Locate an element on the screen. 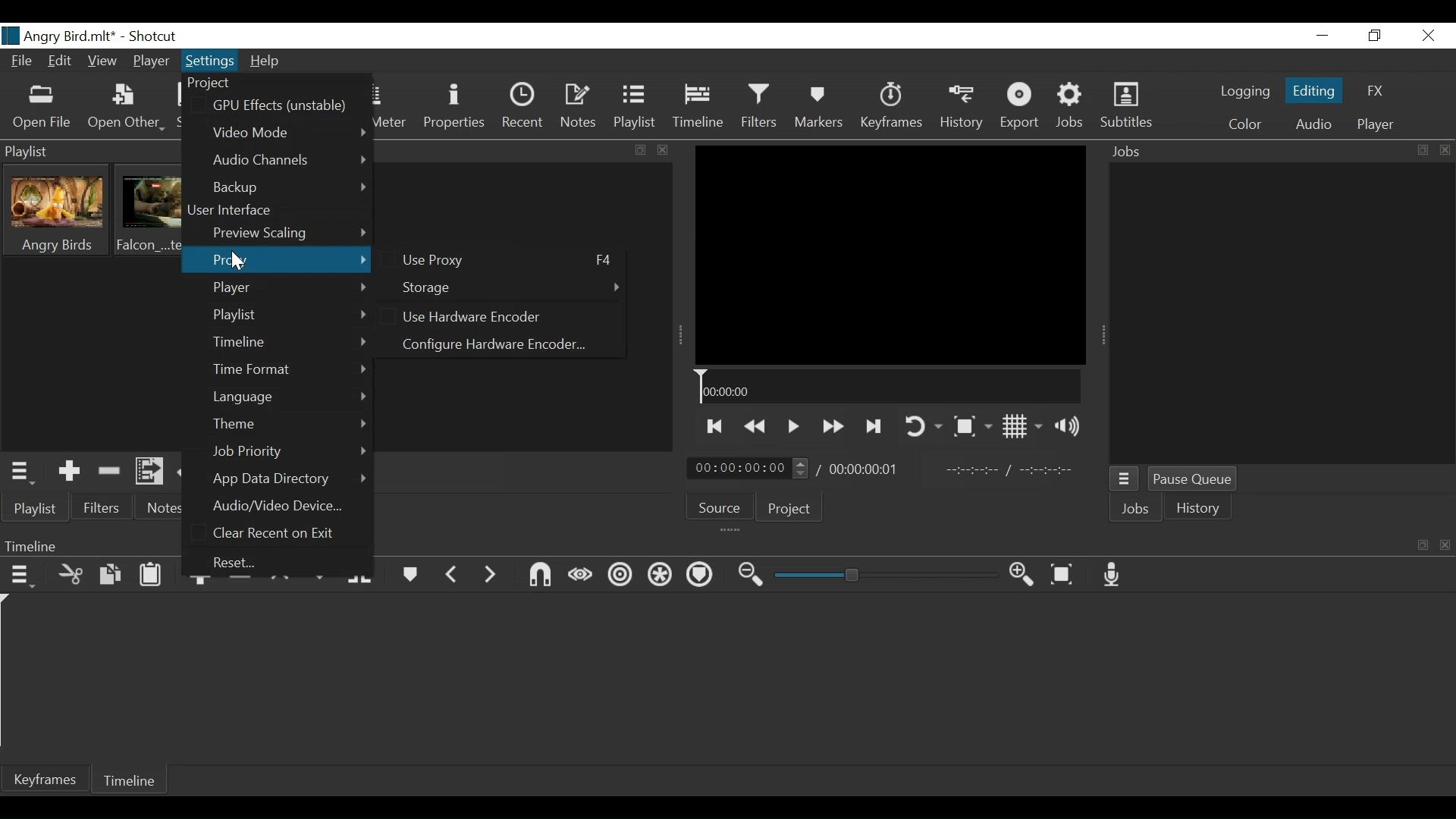 The height and width of the screenshot is (819, 1456). Editing is located at coordinates (1313, 90).